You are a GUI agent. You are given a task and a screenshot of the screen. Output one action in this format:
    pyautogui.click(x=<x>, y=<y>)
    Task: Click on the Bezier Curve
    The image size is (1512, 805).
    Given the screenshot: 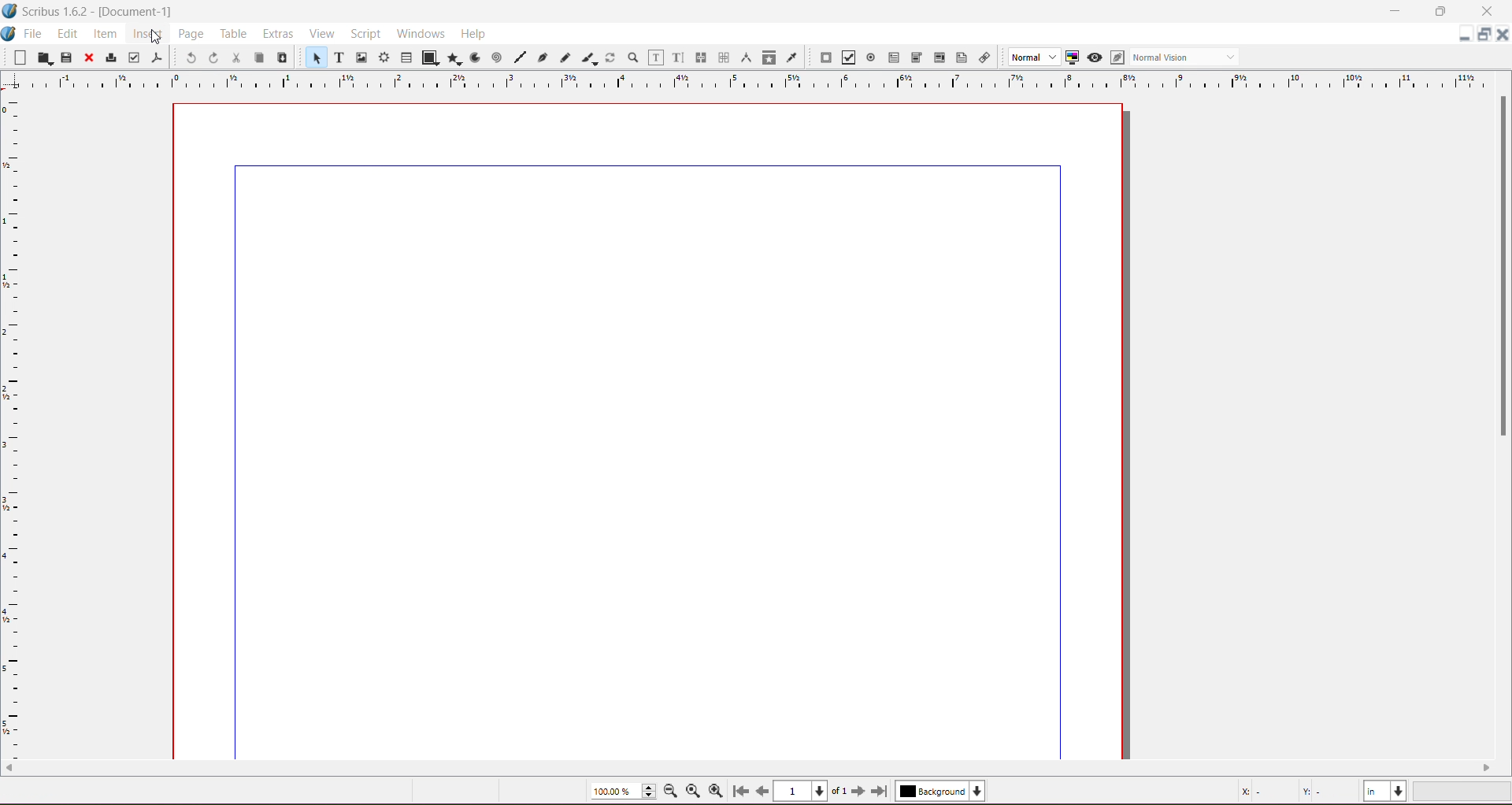 What is the action you would take?
    pyautogui.click(x=543, y=59)
    